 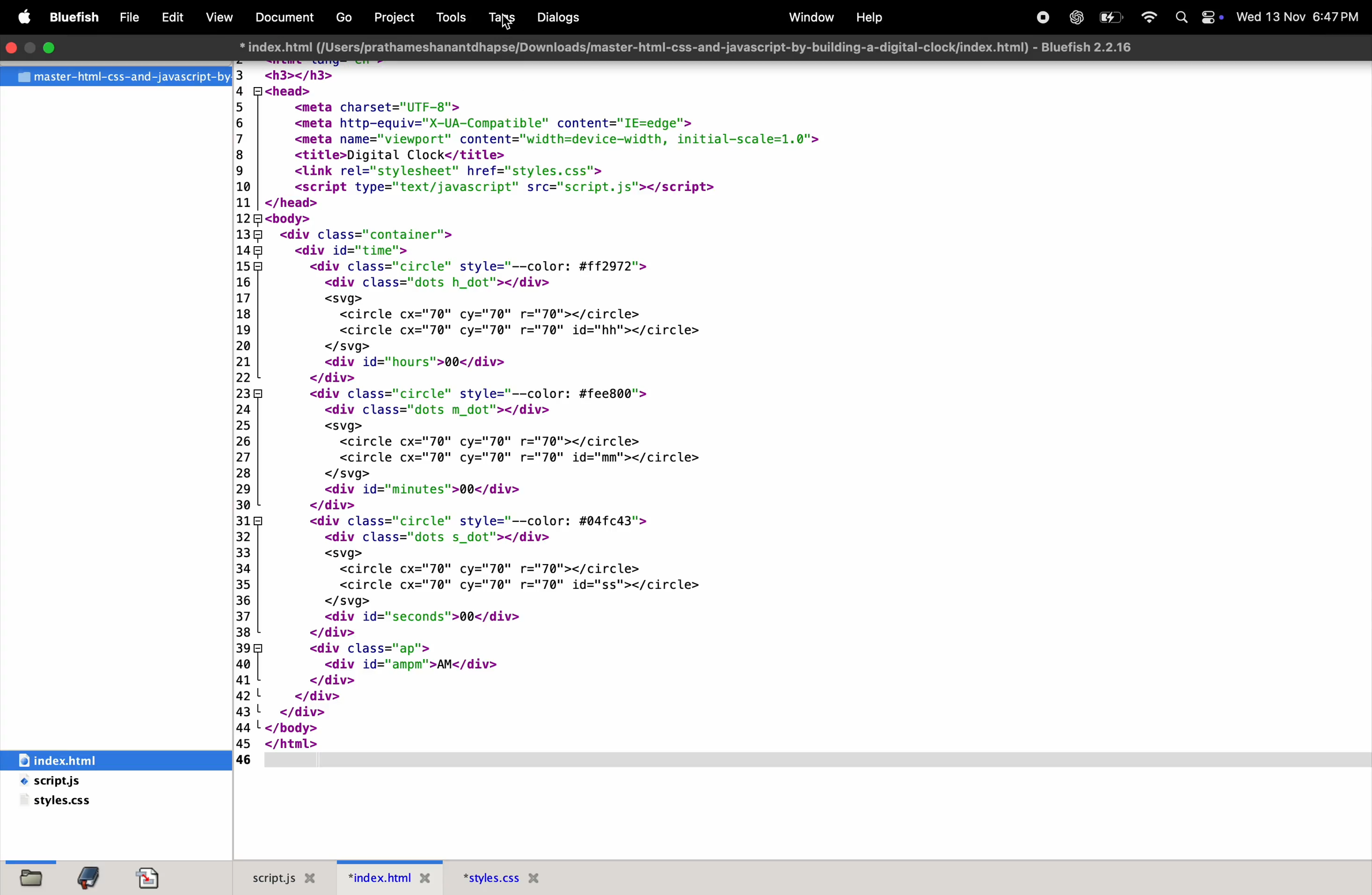 What do you see at coordinates (392, 17) in the screenshot?
I see `Project` at bounding box center [392, 17].